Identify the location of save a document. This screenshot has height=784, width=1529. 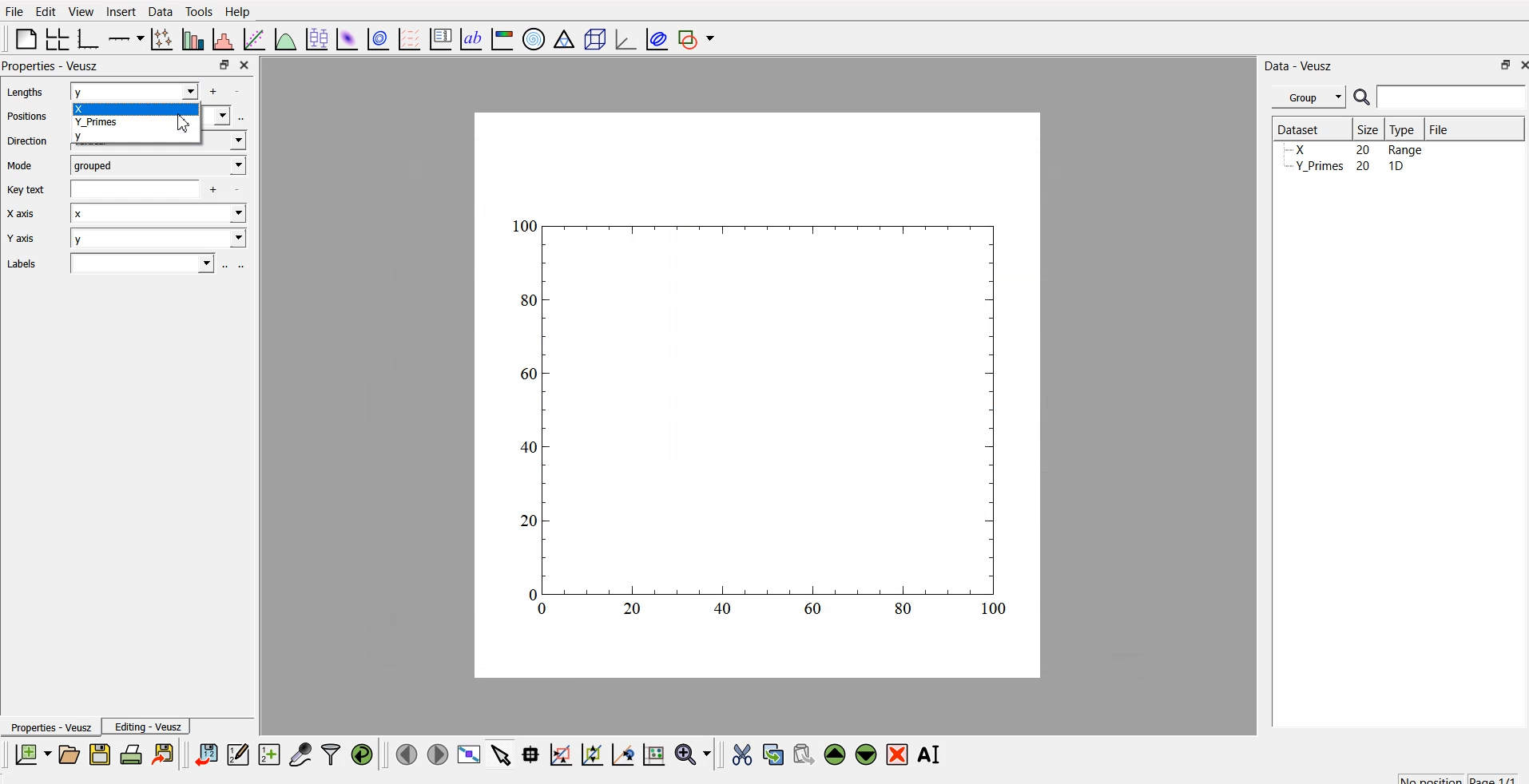
(100, 755).